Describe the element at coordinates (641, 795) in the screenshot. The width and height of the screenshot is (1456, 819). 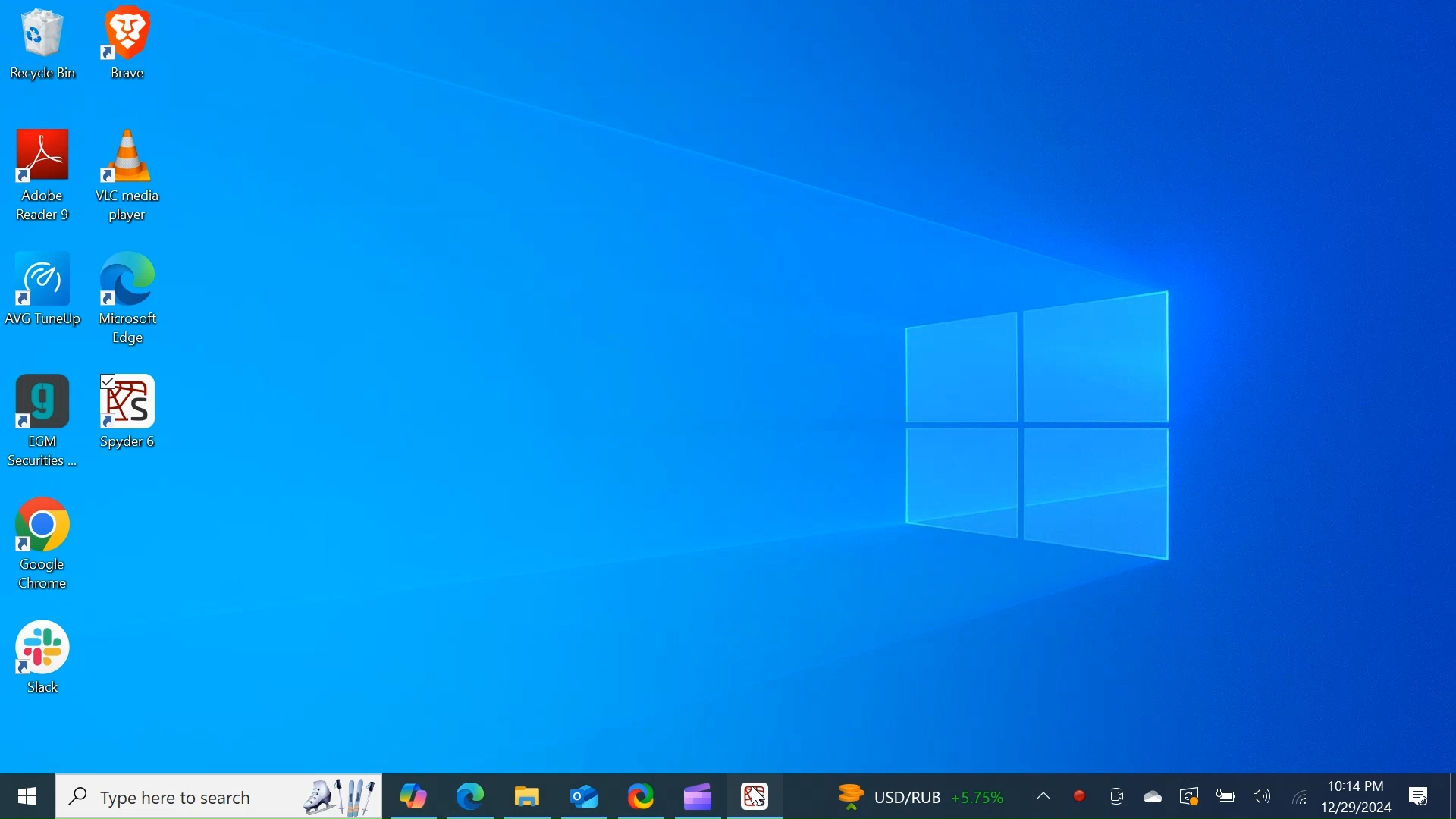
I see `ShareX` at that location.